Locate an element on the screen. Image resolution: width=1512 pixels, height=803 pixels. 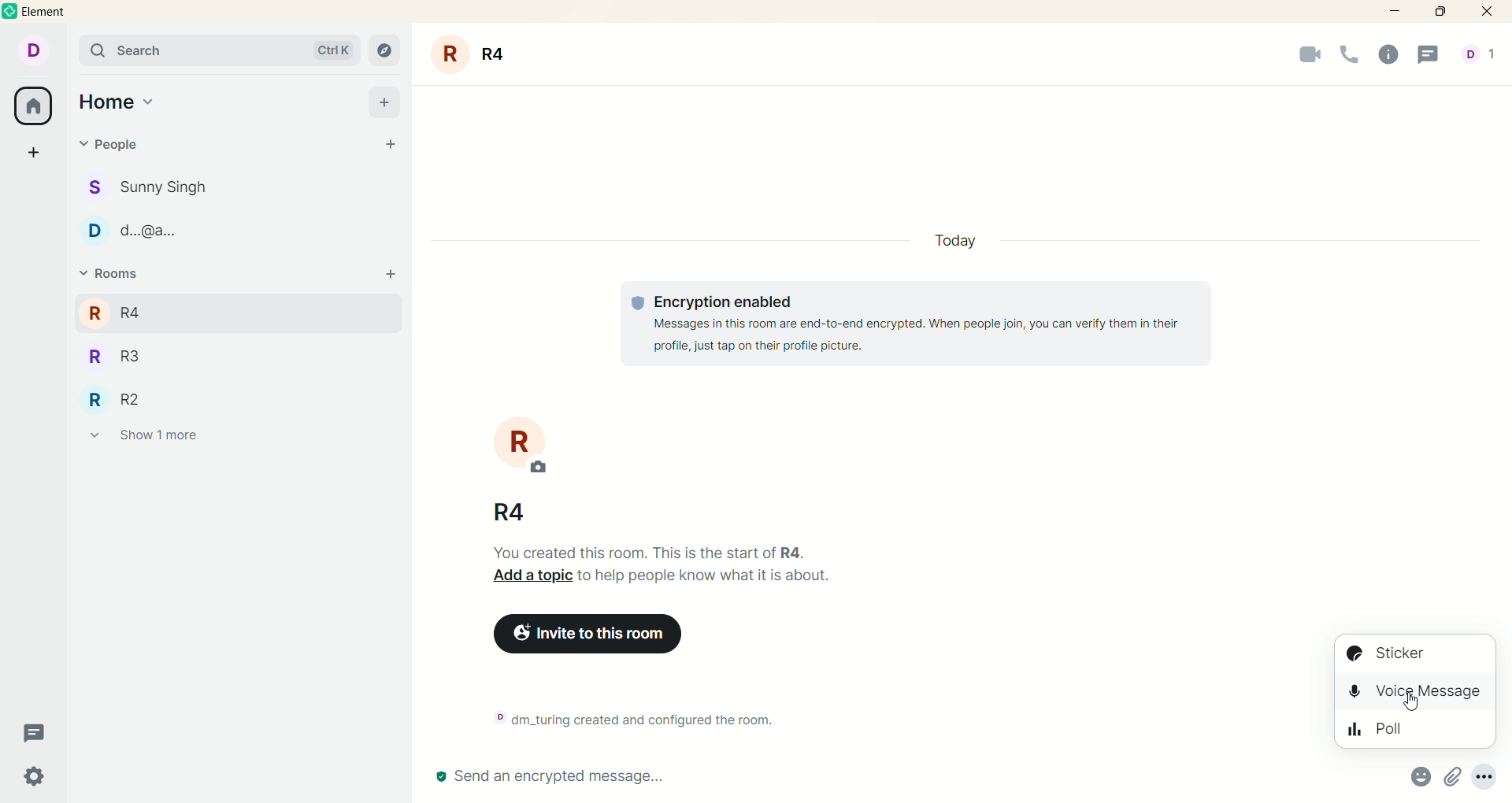
rooms is located at coordinates (108, 274).